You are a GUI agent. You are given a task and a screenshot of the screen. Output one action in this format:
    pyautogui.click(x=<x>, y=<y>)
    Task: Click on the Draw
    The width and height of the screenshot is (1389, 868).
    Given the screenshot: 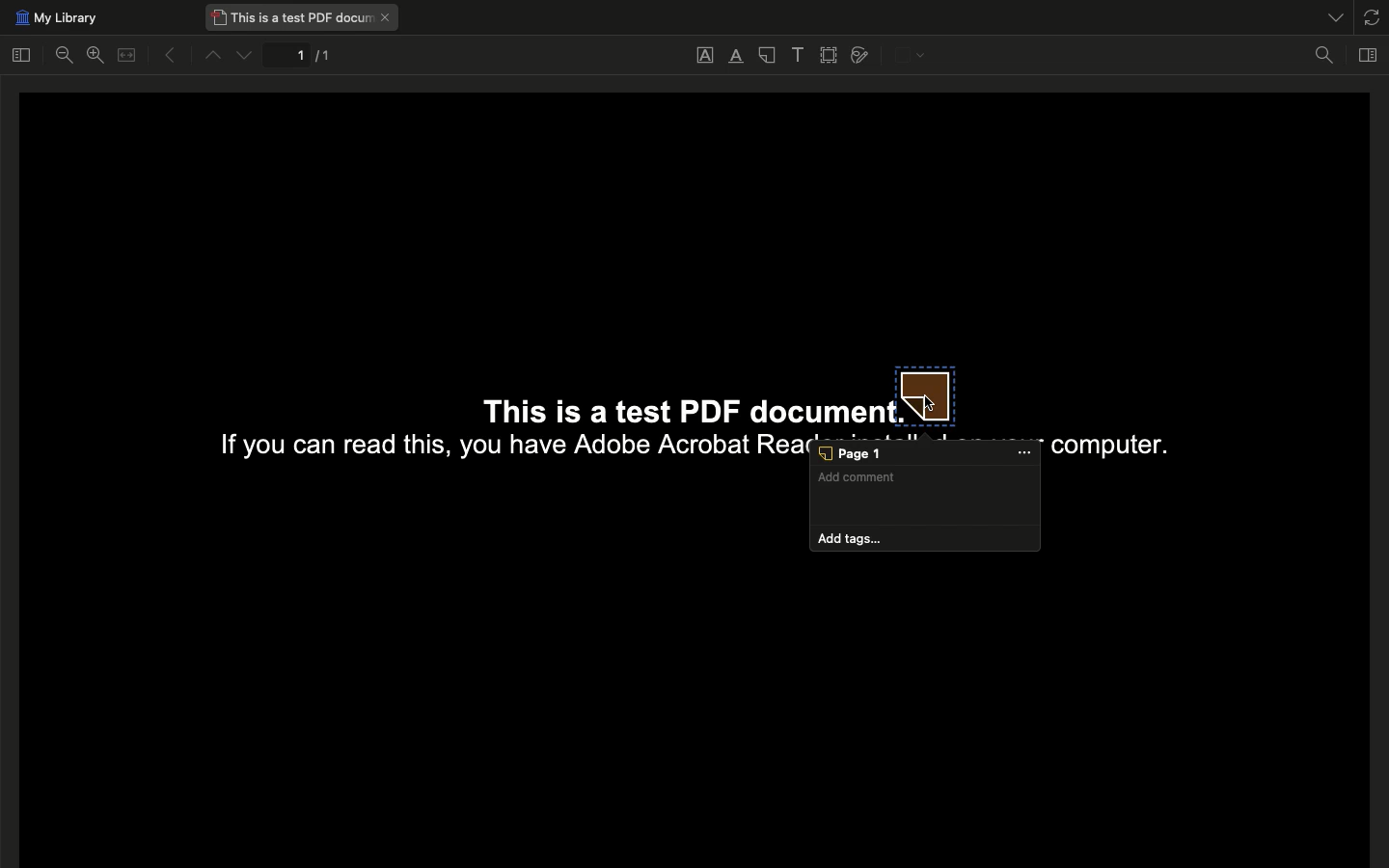 What is the action you would take?
    pyautogui.click(x=860, y=54)
    